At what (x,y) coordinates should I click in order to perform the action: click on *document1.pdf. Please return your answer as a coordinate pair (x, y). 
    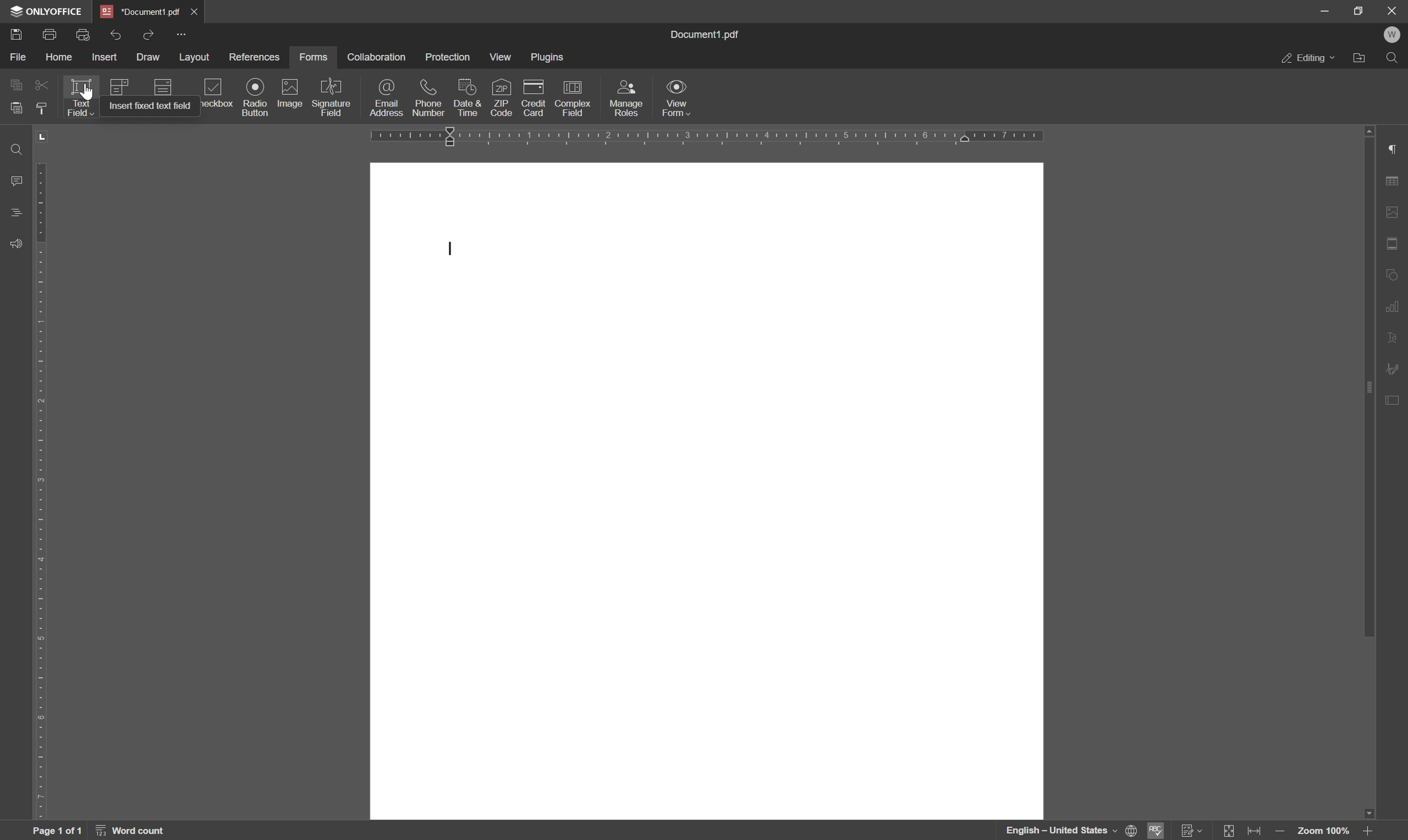
    Looking at the image, I should click on (139, 10).